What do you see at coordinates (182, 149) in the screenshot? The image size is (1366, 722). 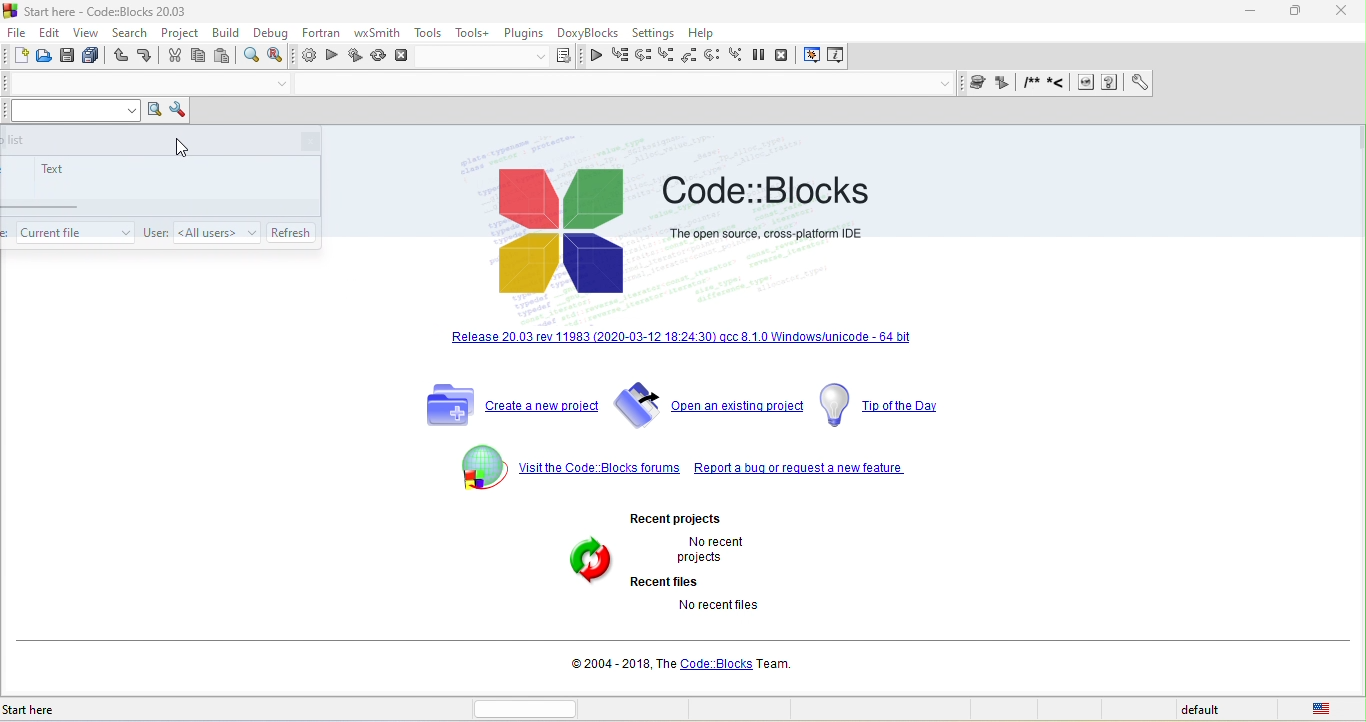 I see `cursor movement` at bounding box center [182, 149].